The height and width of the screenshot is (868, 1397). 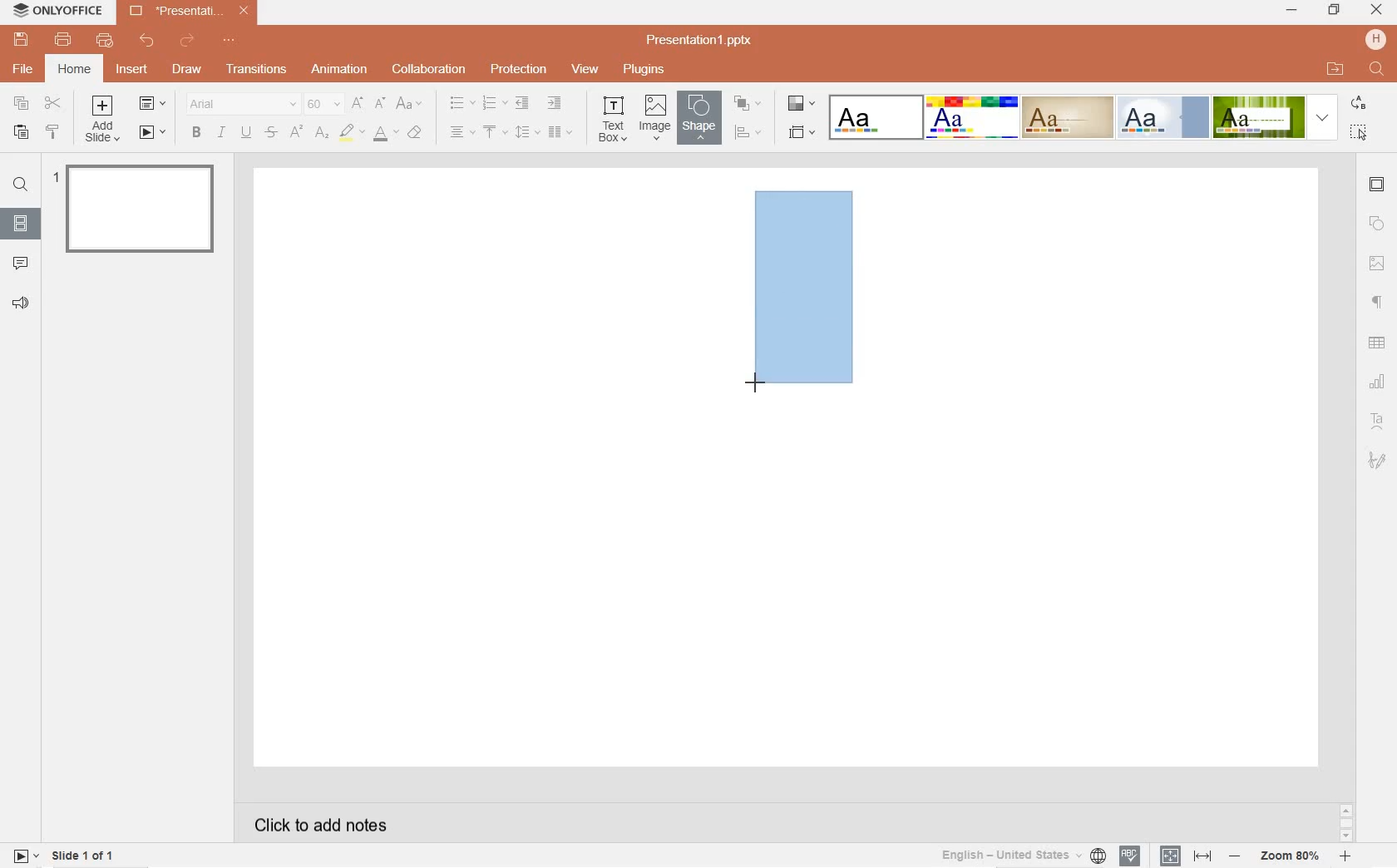 I want to click on paste, so click(x=18, y=133).